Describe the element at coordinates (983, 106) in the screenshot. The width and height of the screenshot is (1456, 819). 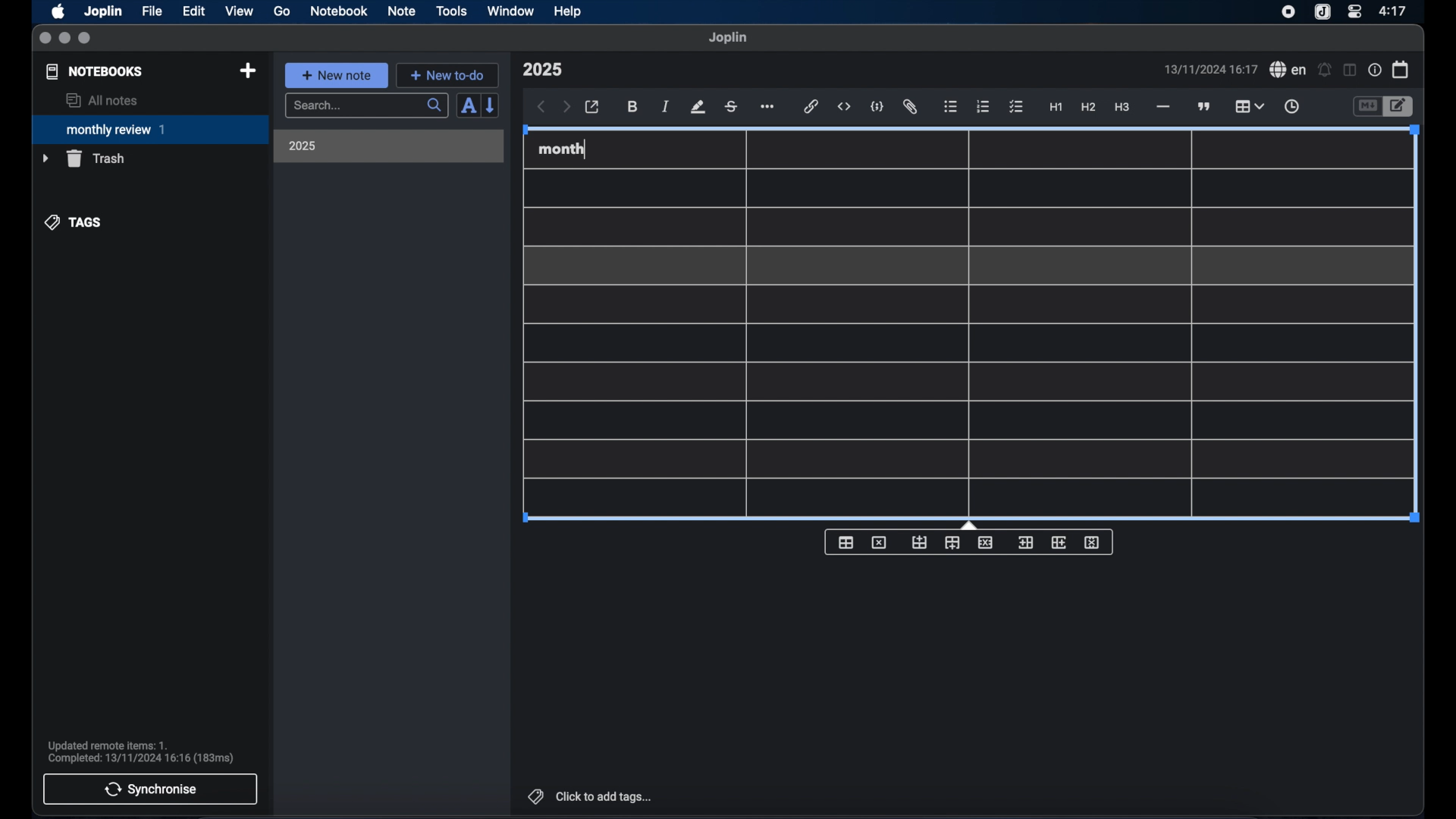
I see `numbered list` at that location.